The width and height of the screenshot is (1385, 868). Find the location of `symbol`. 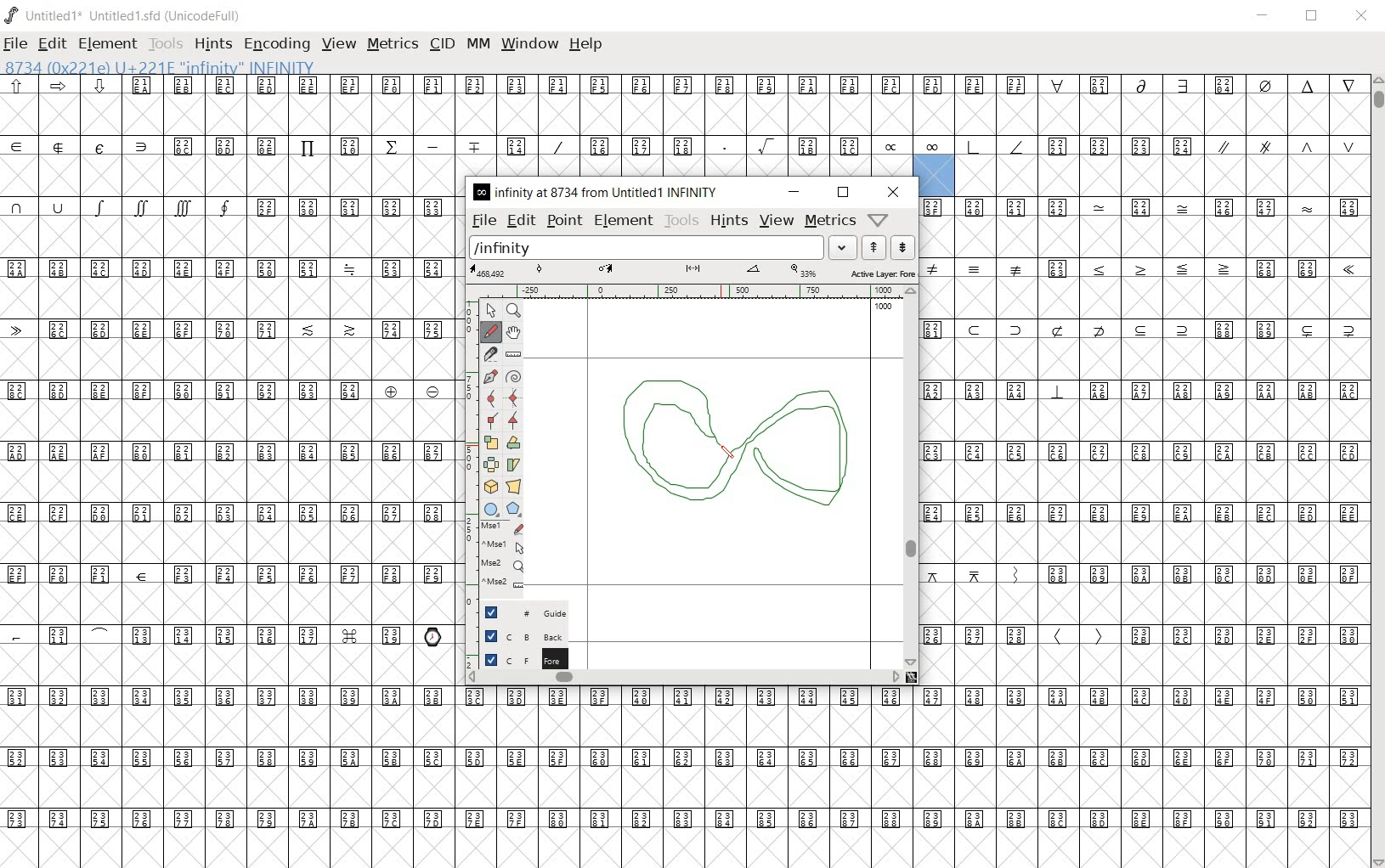

symbol is located at coordinates (1309, 206).